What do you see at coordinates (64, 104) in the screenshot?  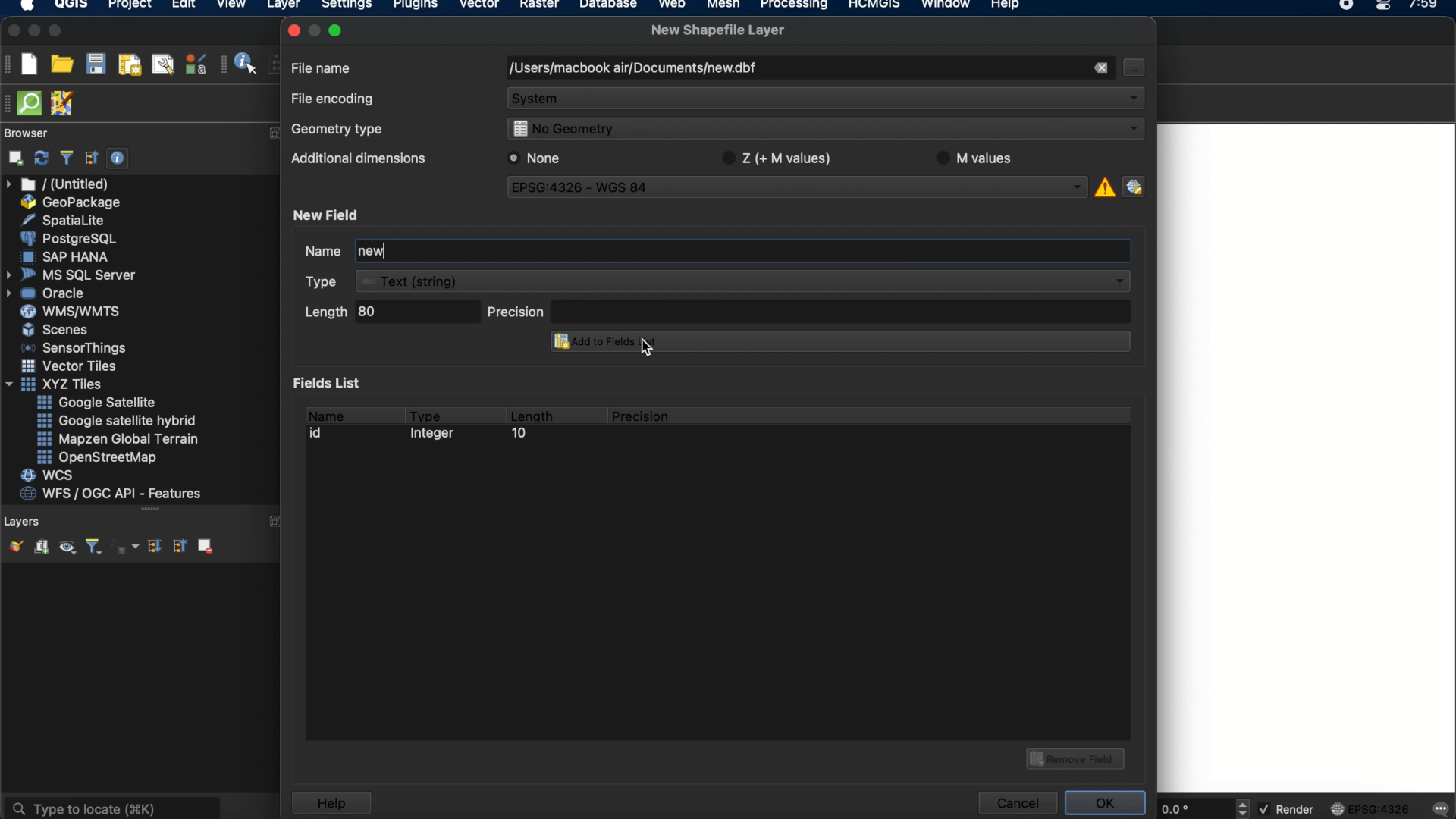 I see `JOSM remote` at bounding box center [64, 104].